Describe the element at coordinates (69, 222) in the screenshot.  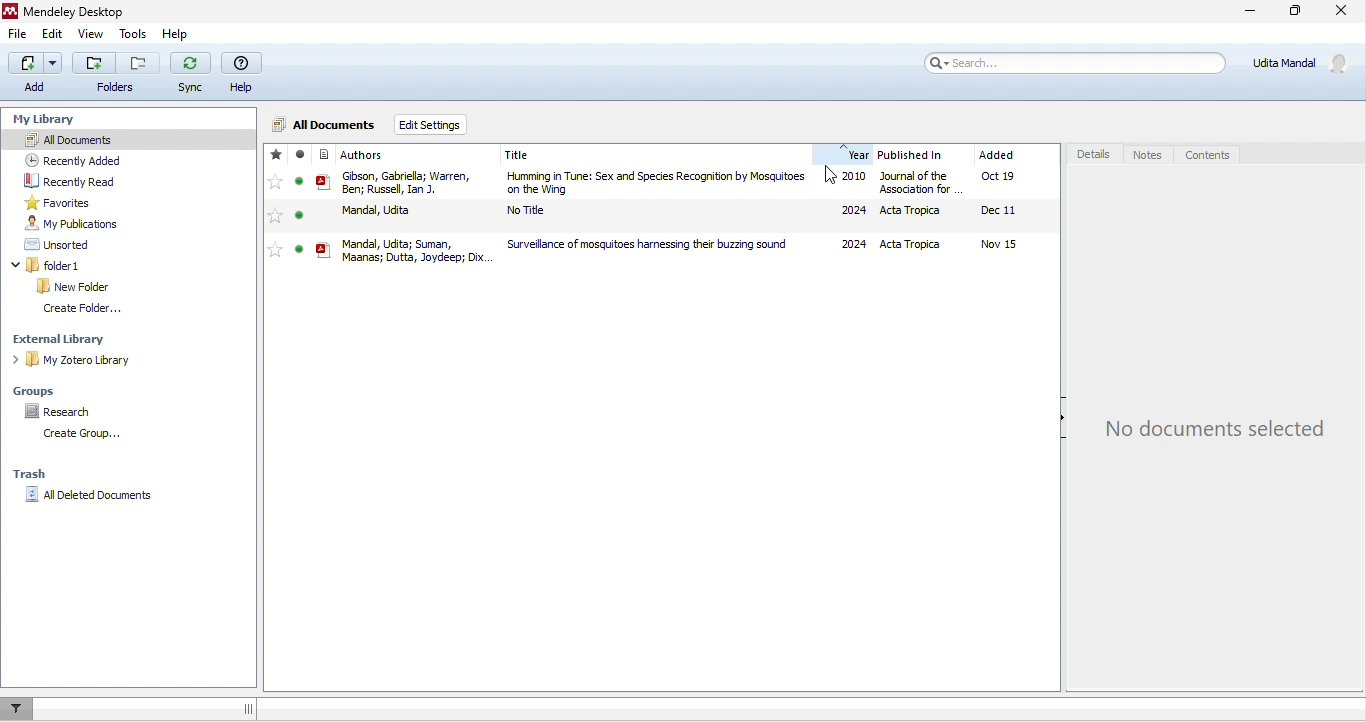
I see `my publications` at that location.